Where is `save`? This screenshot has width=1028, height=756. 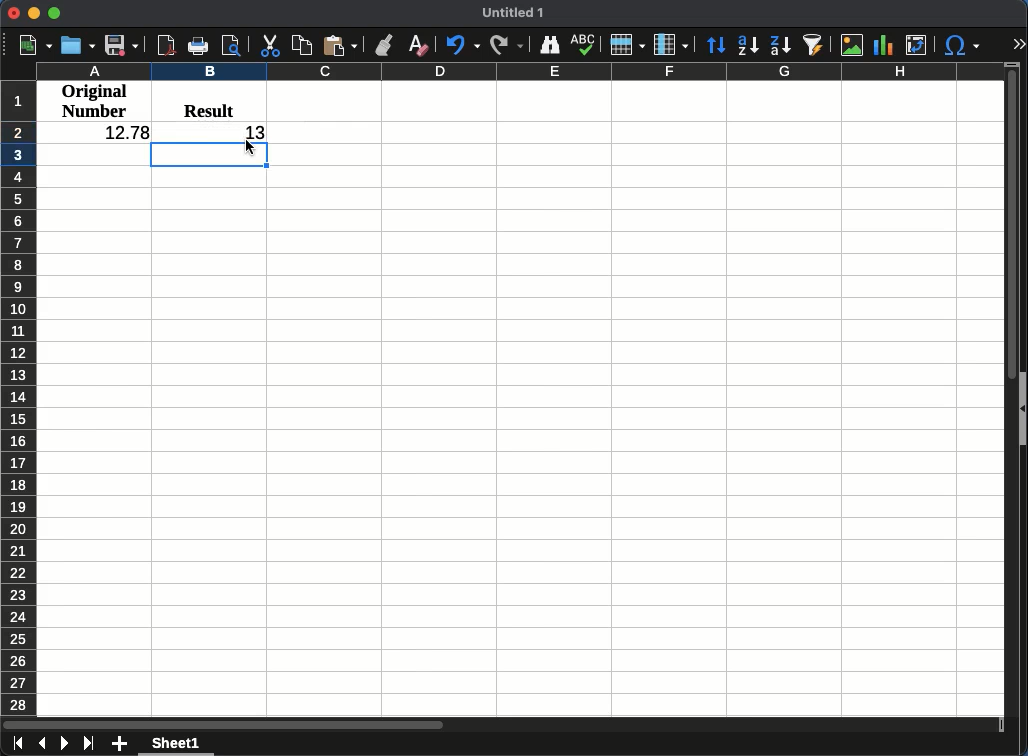 save is located at coordinates (121, 45).